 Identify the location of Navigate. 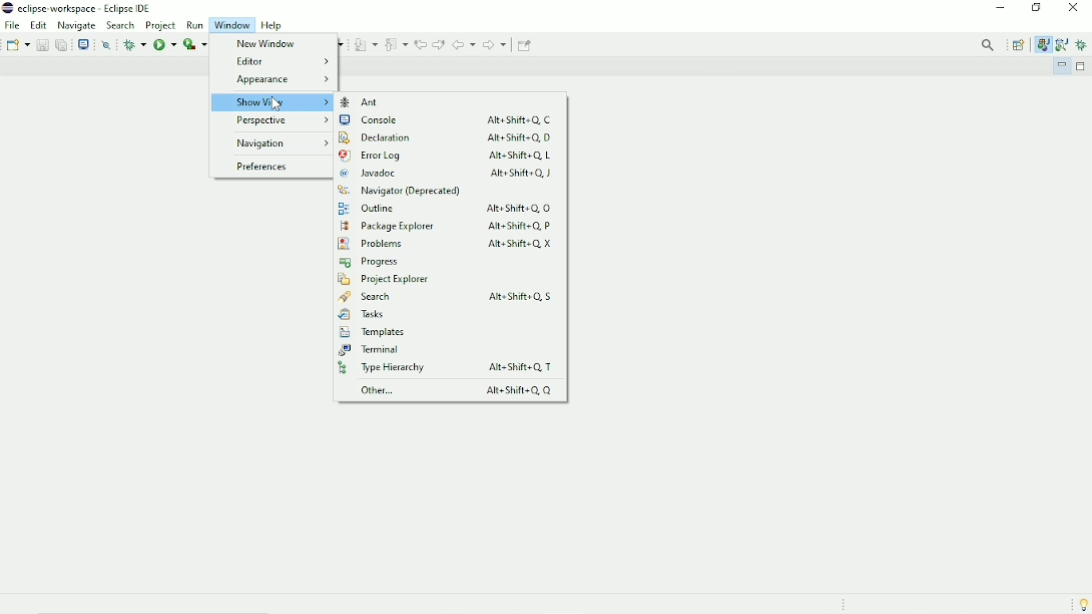
(78, 25).